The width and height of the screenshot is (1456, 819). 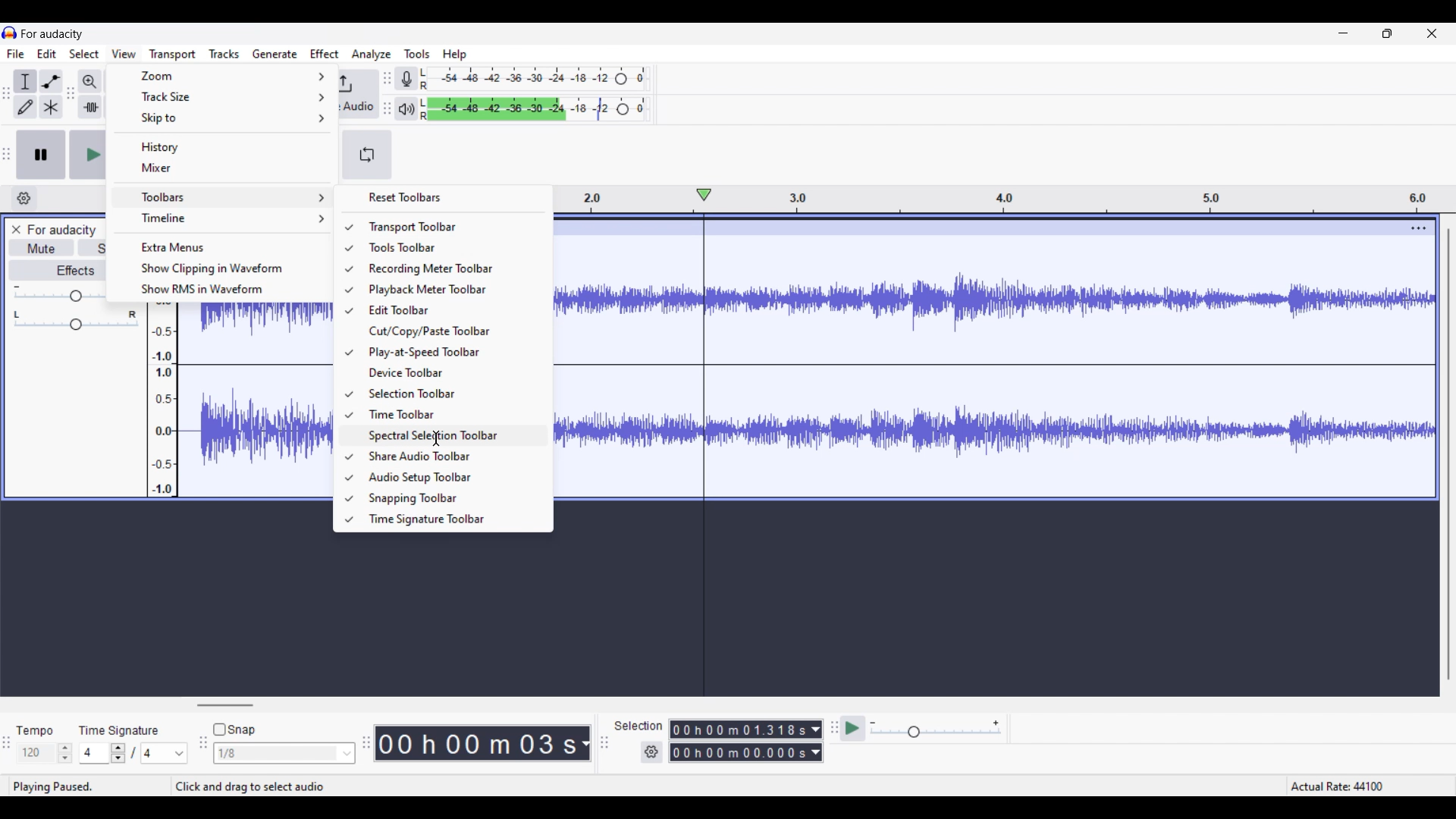 What do you see at coordinates (416, 54) in the screenshot?
I see `Tools menu` at bounding box center [416, 54].